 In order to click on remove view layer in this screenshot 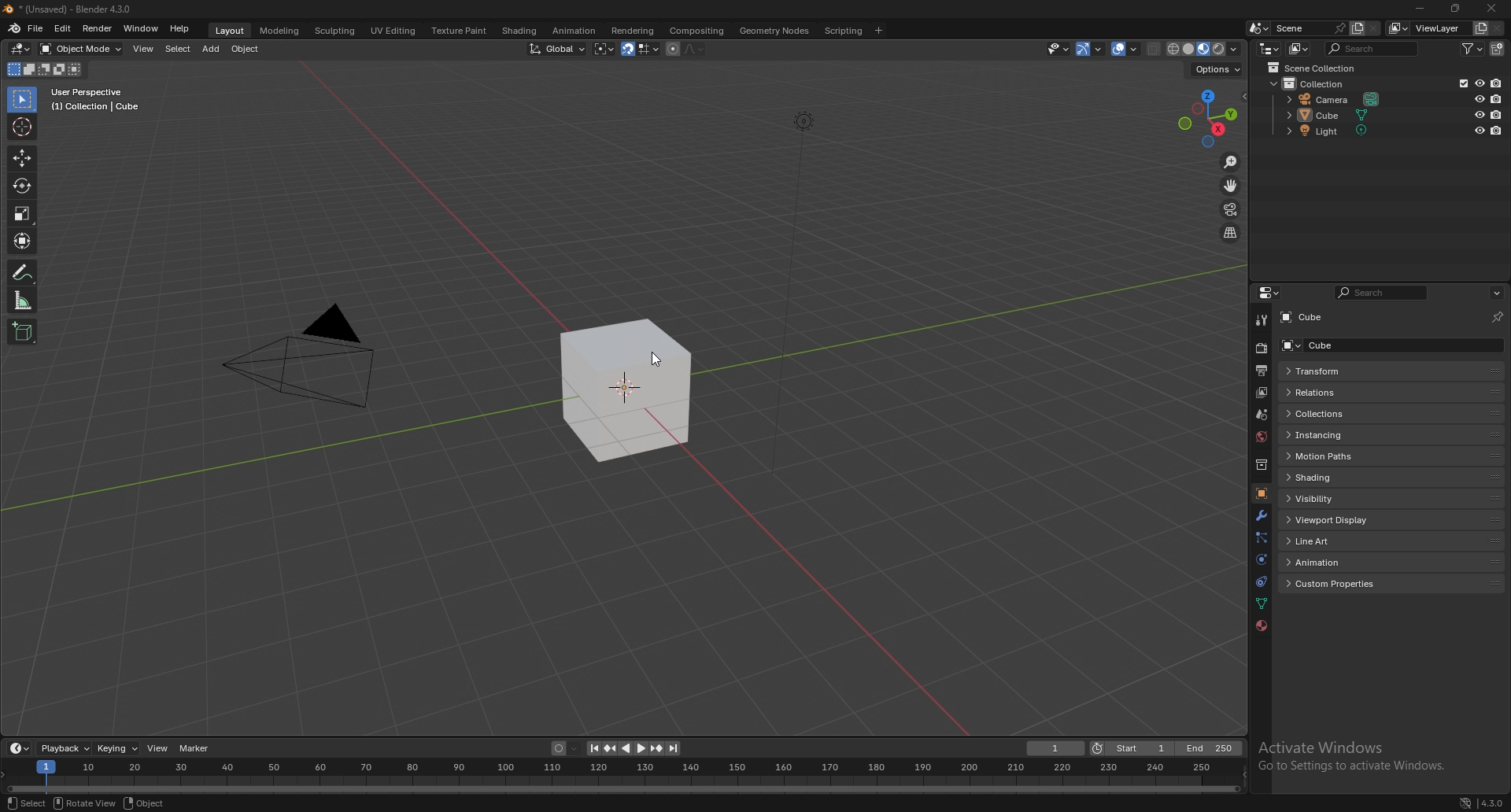, I will do `click(1498, 29)`.